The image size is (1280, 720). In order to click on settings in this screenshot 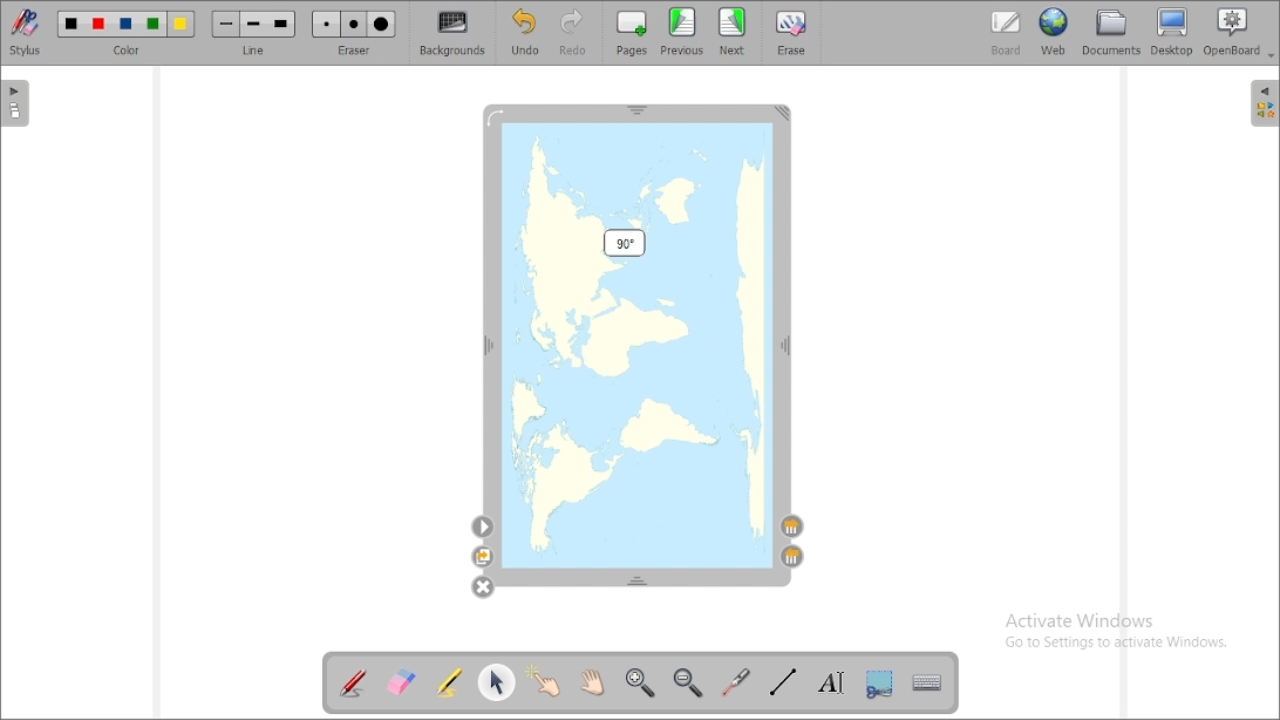, I will do `click(483, 527)`.